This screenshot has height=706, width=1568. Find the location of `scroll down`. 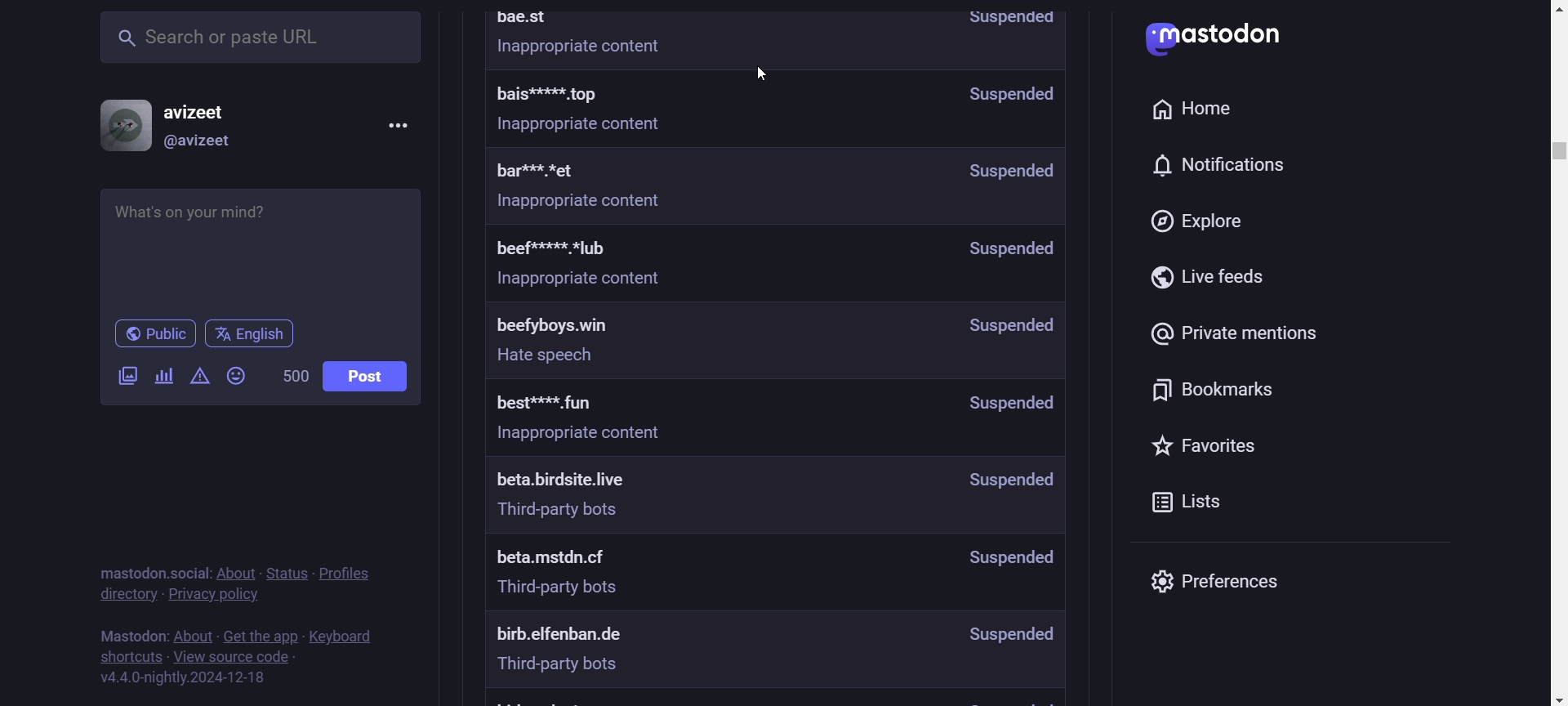

scroll down is located at coordinates (1548, 700).